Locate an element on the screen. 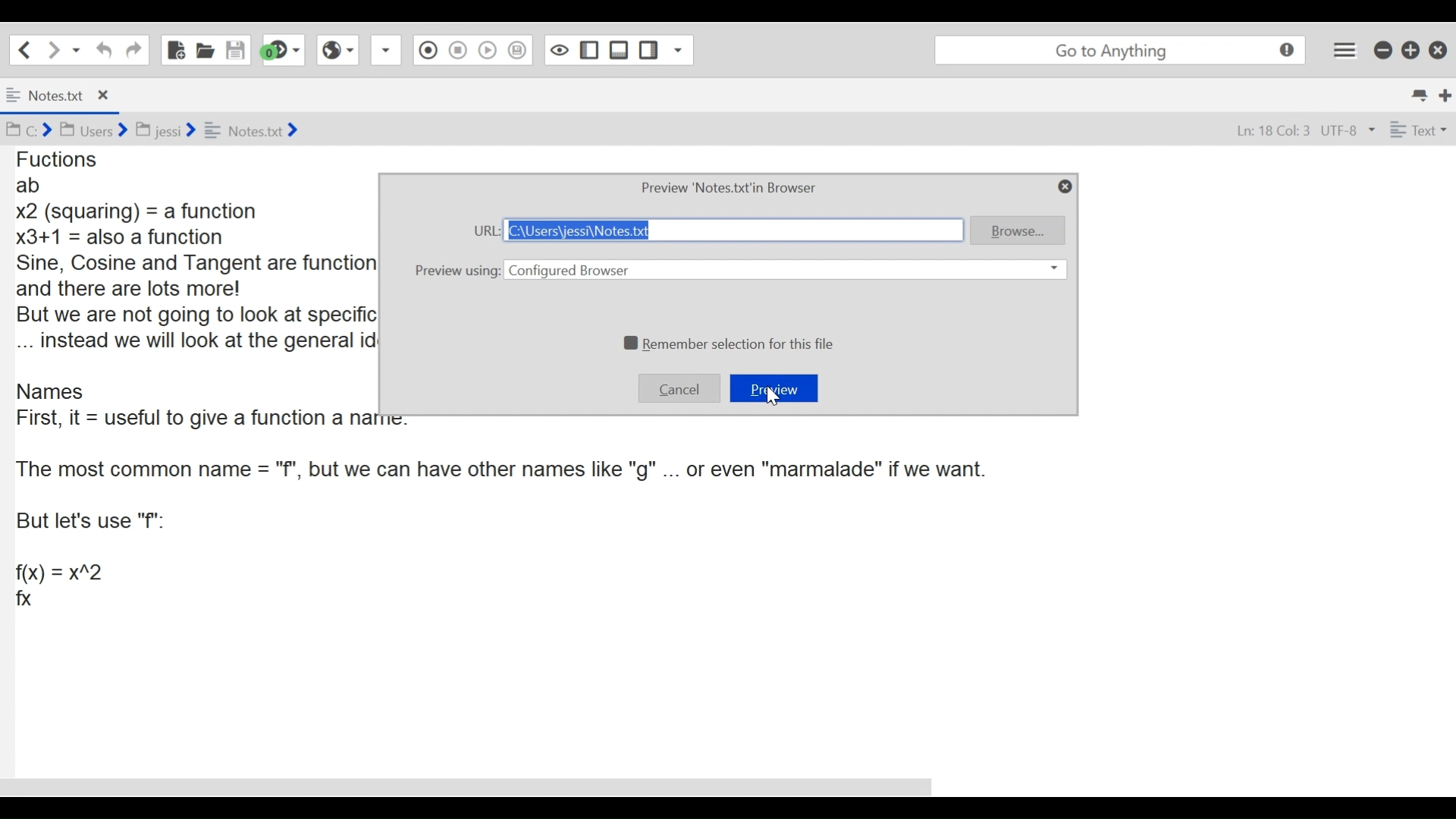 This screenshot has height=819, width=1456. Show/Hide Bottom Pane is located at coordinates (617, 52).